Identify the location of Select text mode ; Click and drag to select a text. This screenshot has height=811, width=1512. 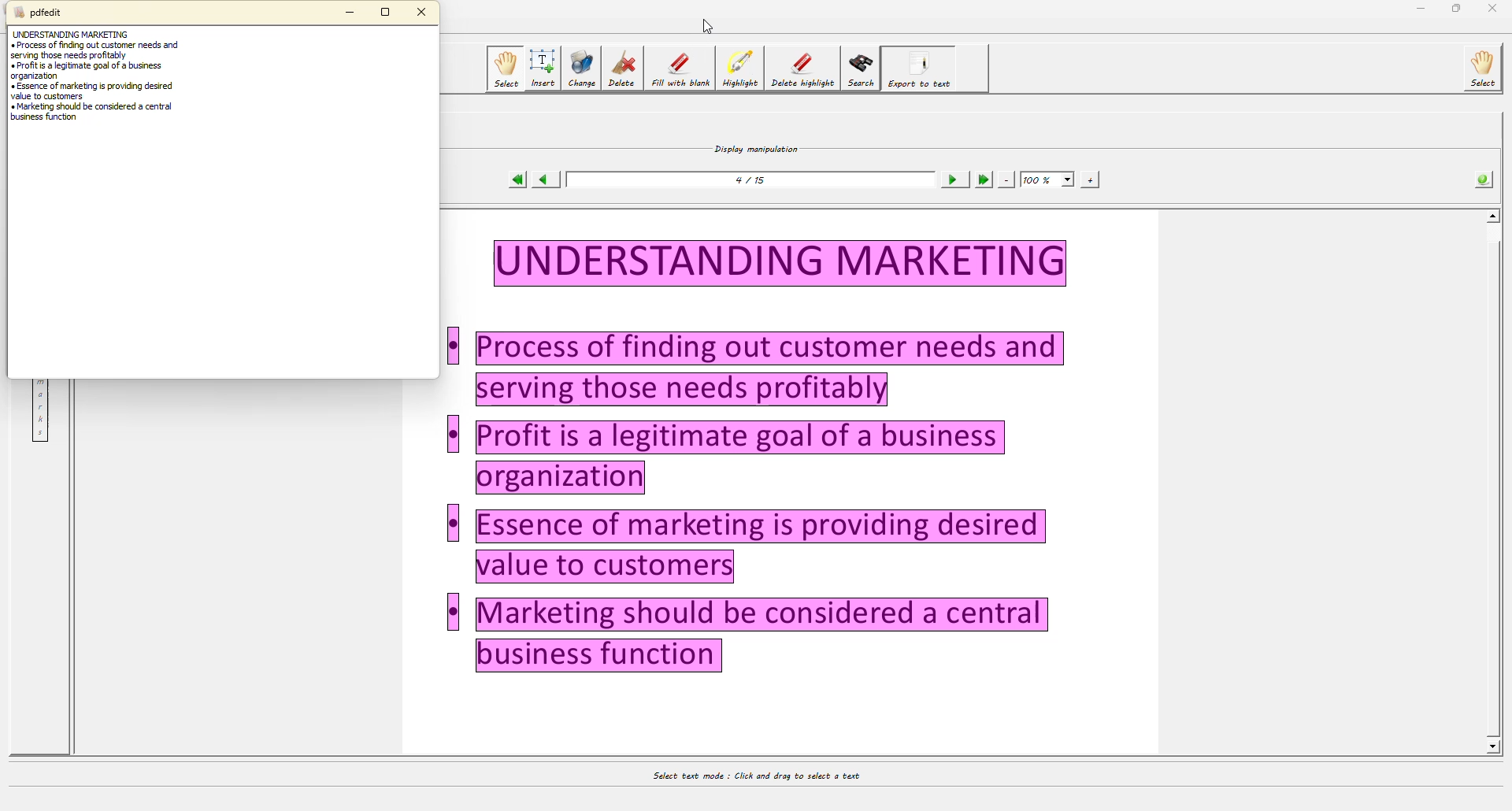
(772, 772).